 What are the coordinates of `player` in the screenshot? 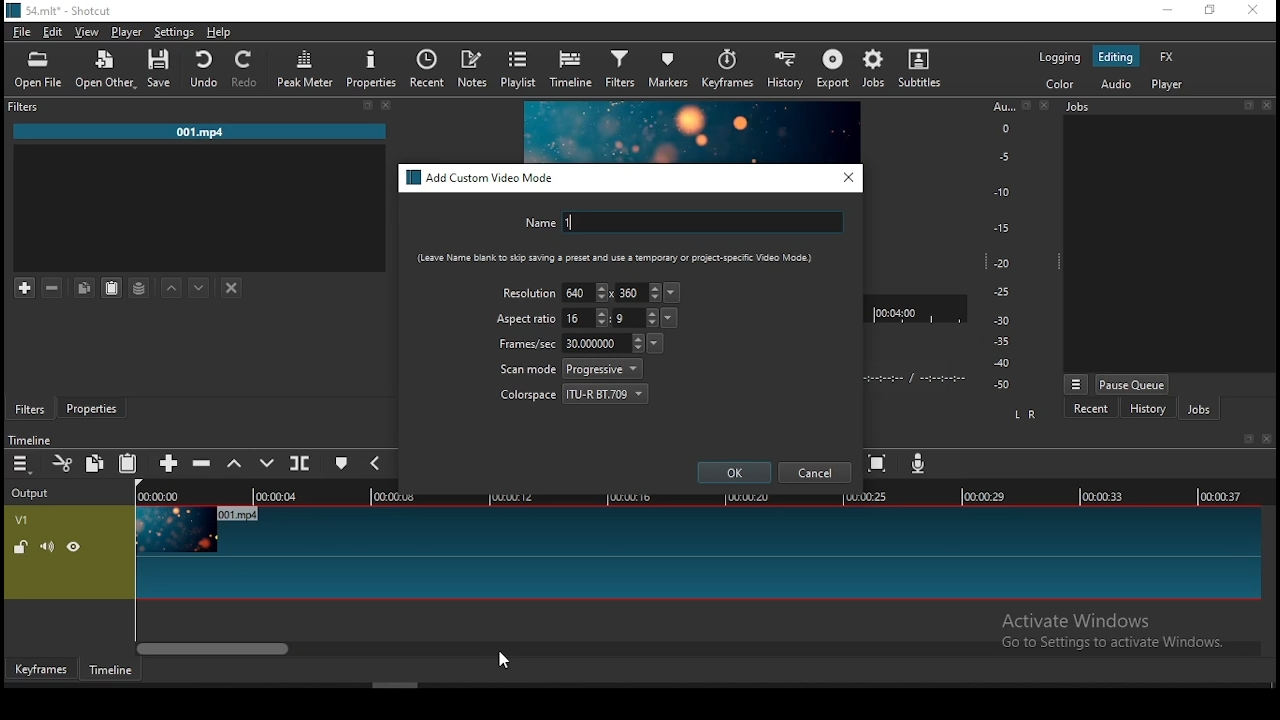 It's located at (128, 33).